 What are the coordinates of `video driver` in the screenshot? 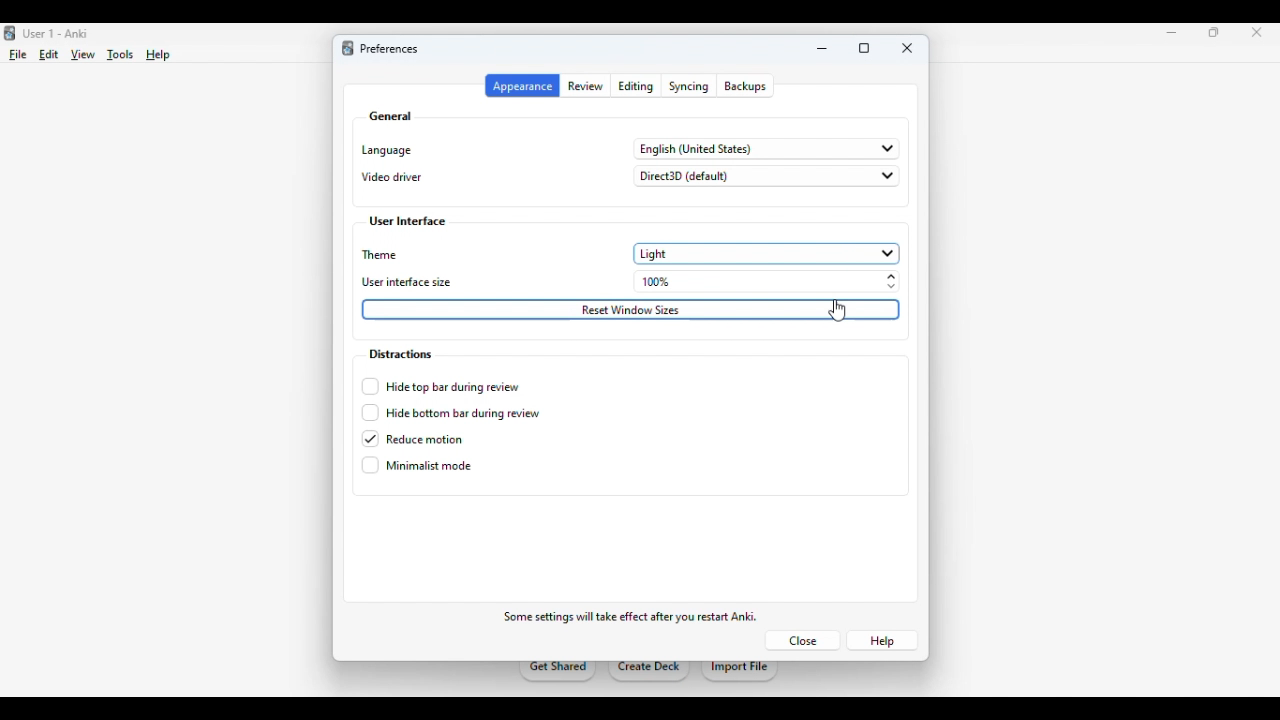 It's located at (392, 177).